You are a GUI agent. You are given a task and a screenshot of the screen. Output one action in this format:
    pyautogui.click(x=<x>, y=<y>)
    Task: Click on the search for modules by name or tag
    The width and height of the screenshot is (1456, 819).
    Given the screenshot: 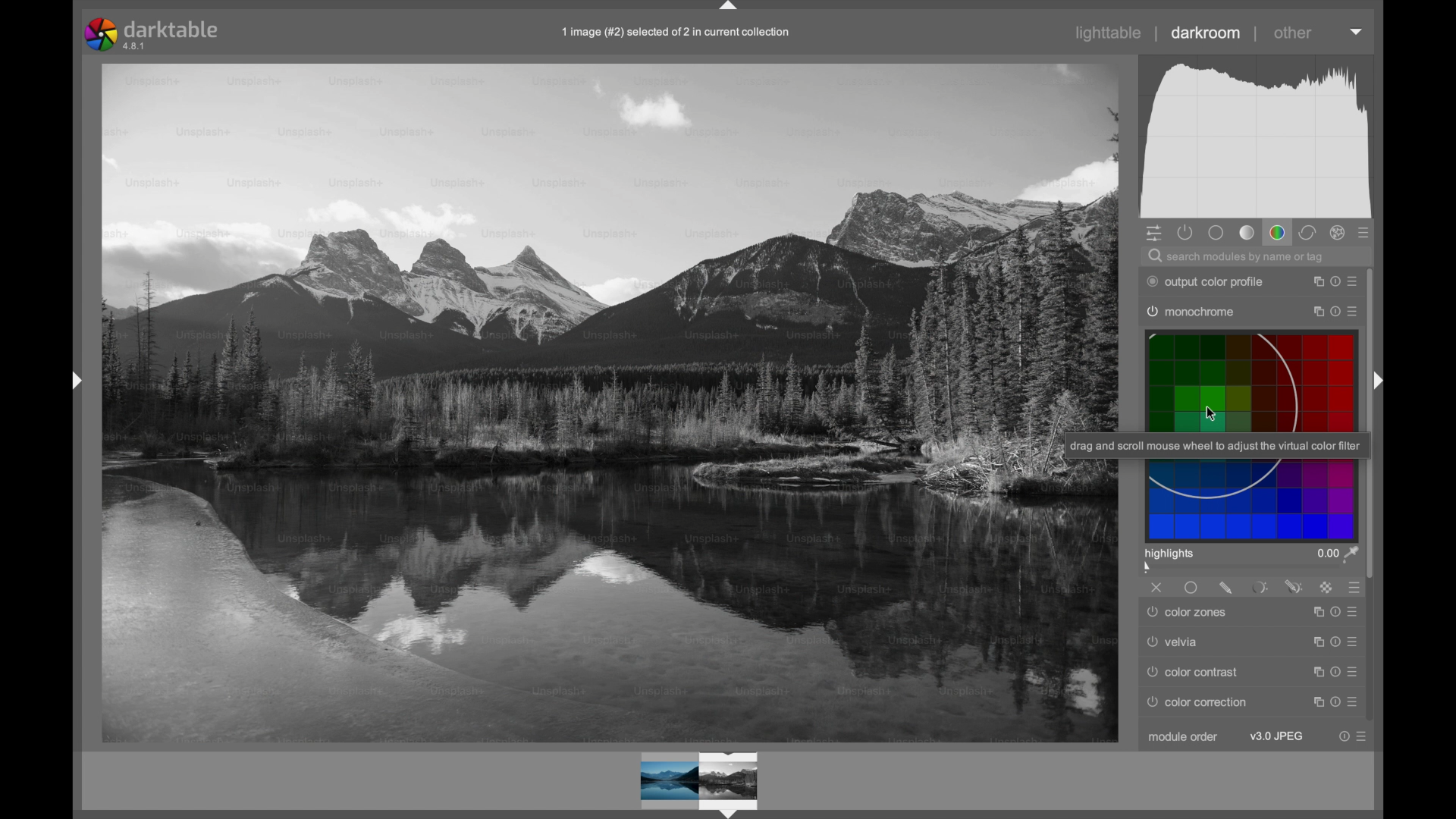 What is the action you would take?
    pyautogui.click(x=1246, y=257)
    